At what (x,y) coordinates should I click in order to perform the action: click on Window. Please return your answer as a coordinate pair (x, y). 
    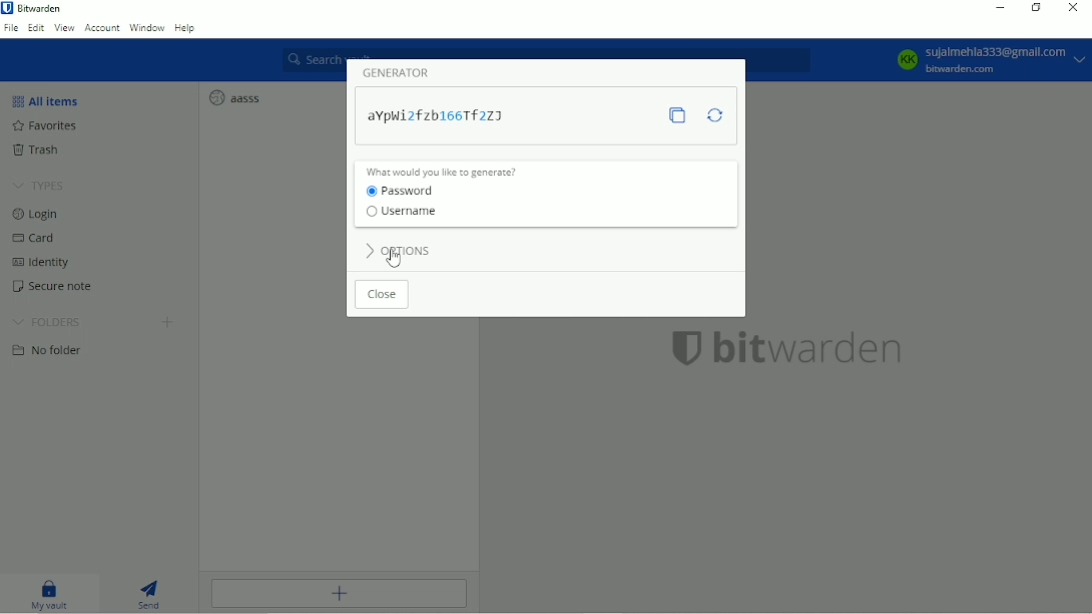
    Looking at the image, I should click on (147, 28).